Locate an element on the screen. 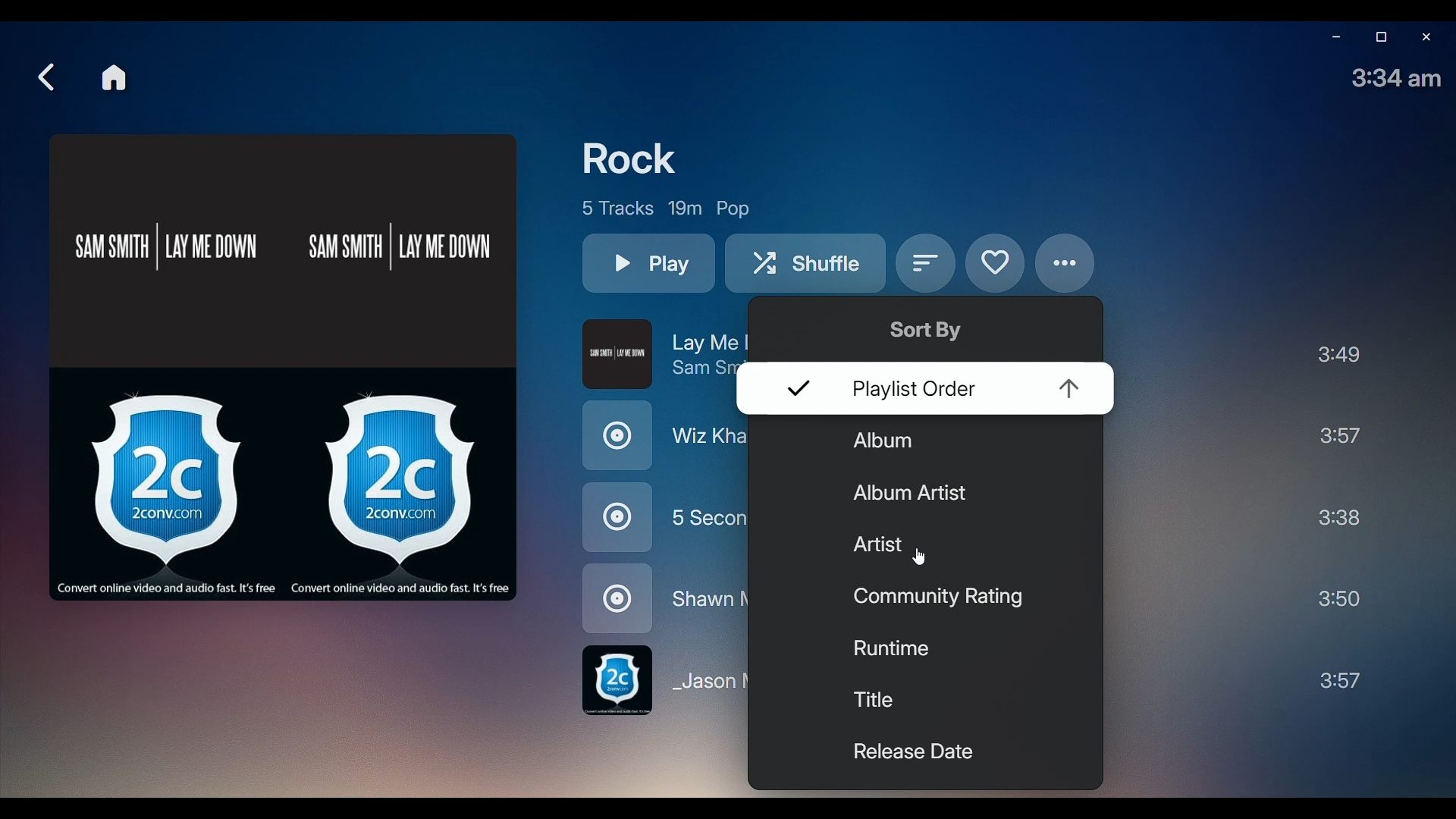  cursor is located at coordinates (923, 558).